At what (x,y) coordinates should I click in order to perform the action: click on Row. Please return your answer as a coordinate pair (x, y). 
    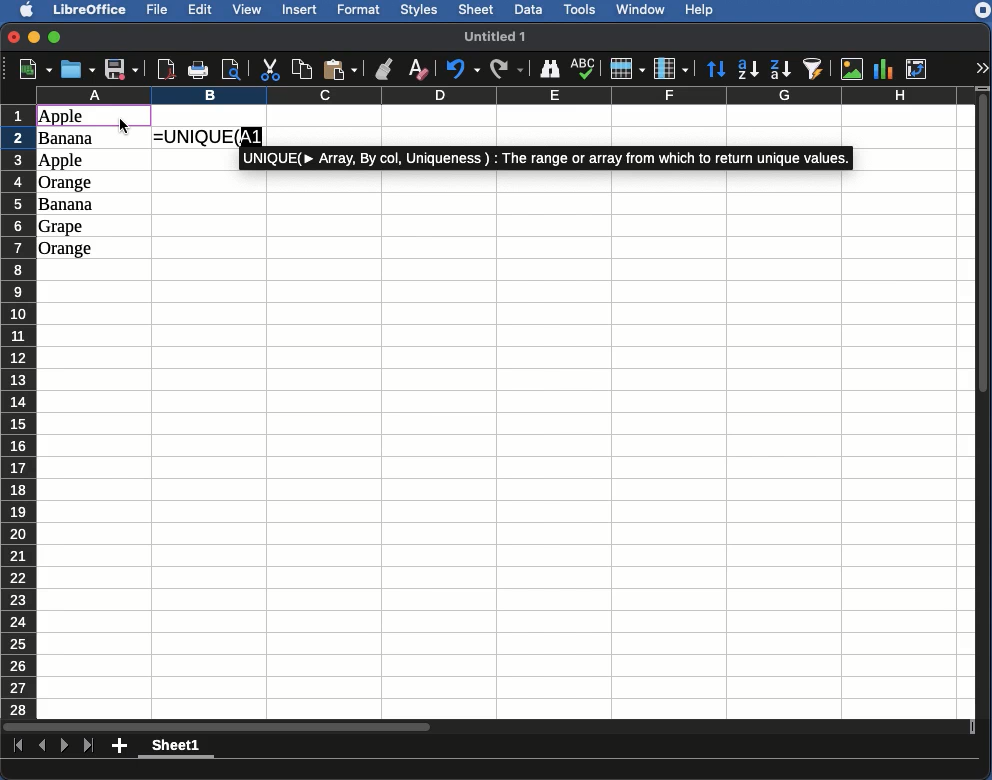
    Looking at the image, I should click on (626, 69).